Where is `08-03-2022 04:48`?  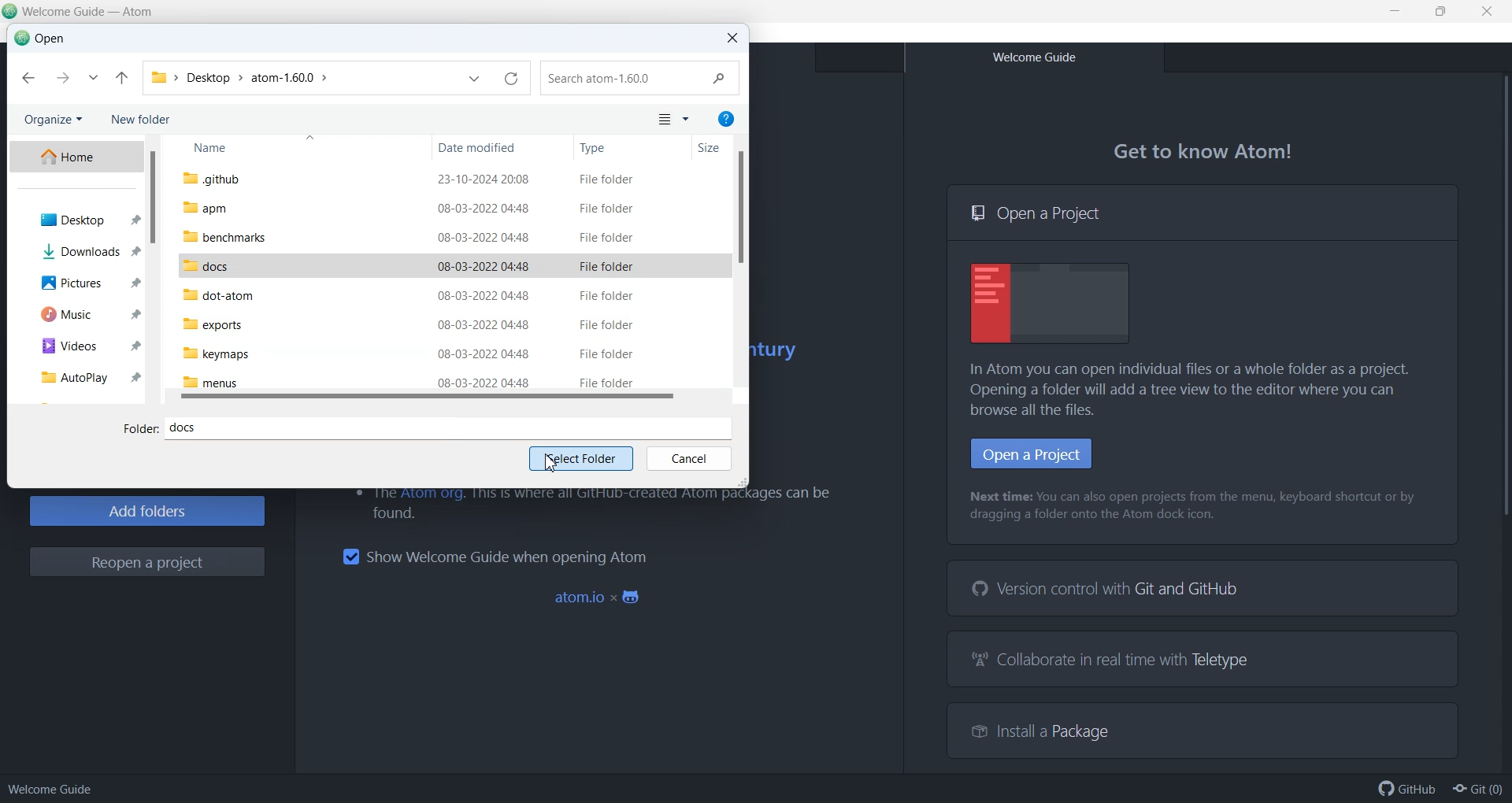
08-03-2022 04:48 is located at coordinates (485, 238).